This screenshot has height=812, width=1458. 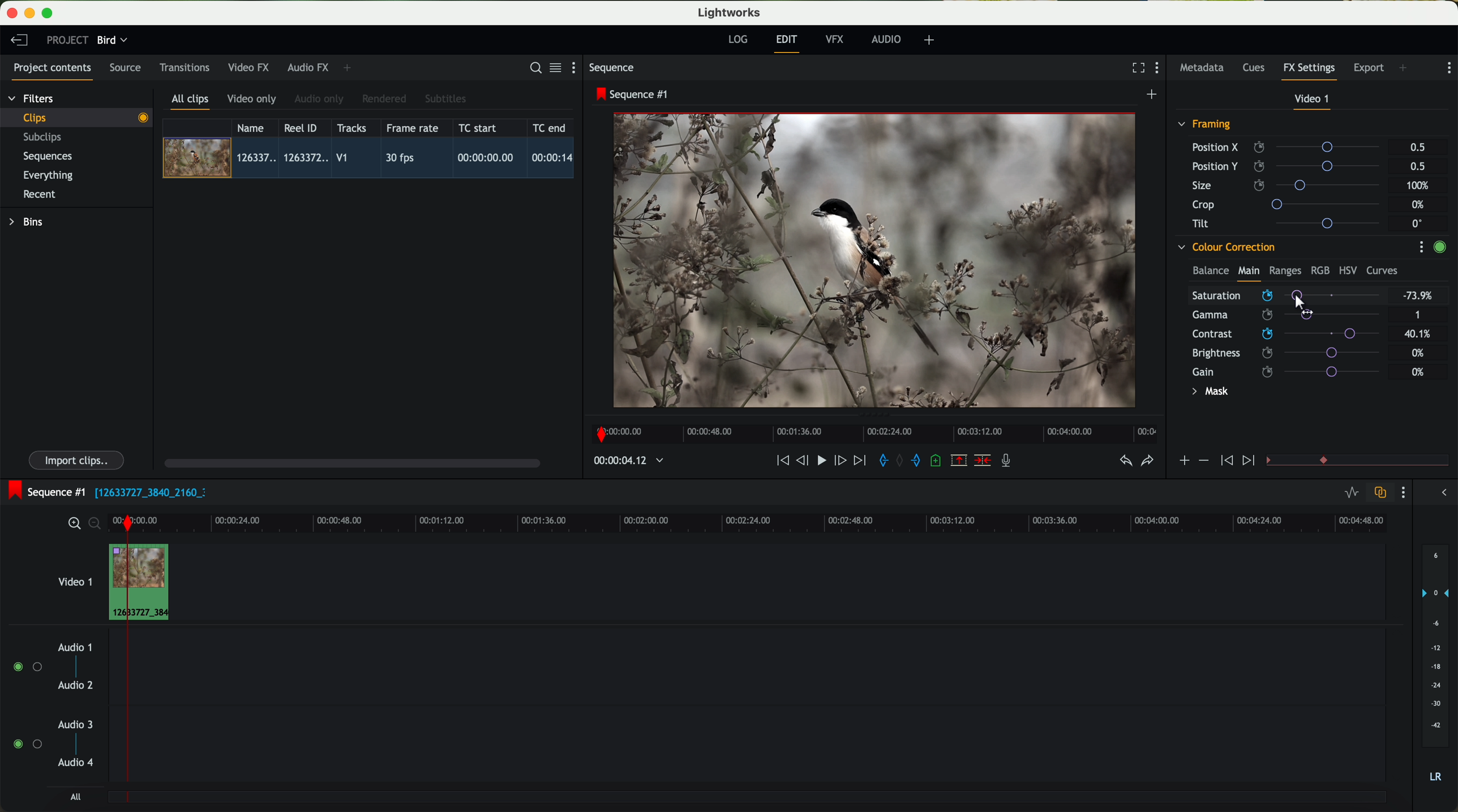 I want to click on balance, so click(x=1211, y=272).